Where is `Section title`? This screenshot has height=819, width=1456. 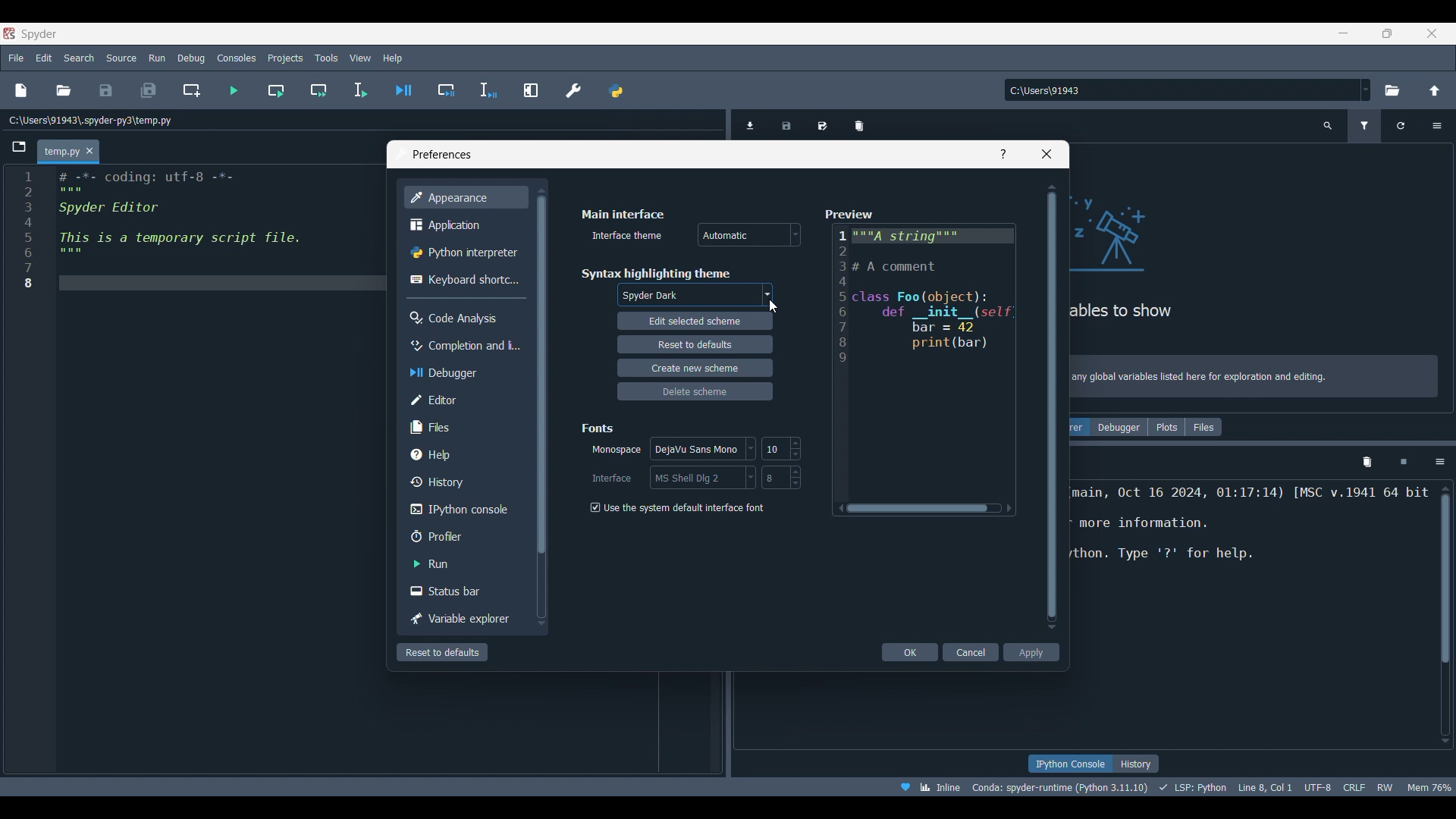 Section title is located at coordinates (598, 428).